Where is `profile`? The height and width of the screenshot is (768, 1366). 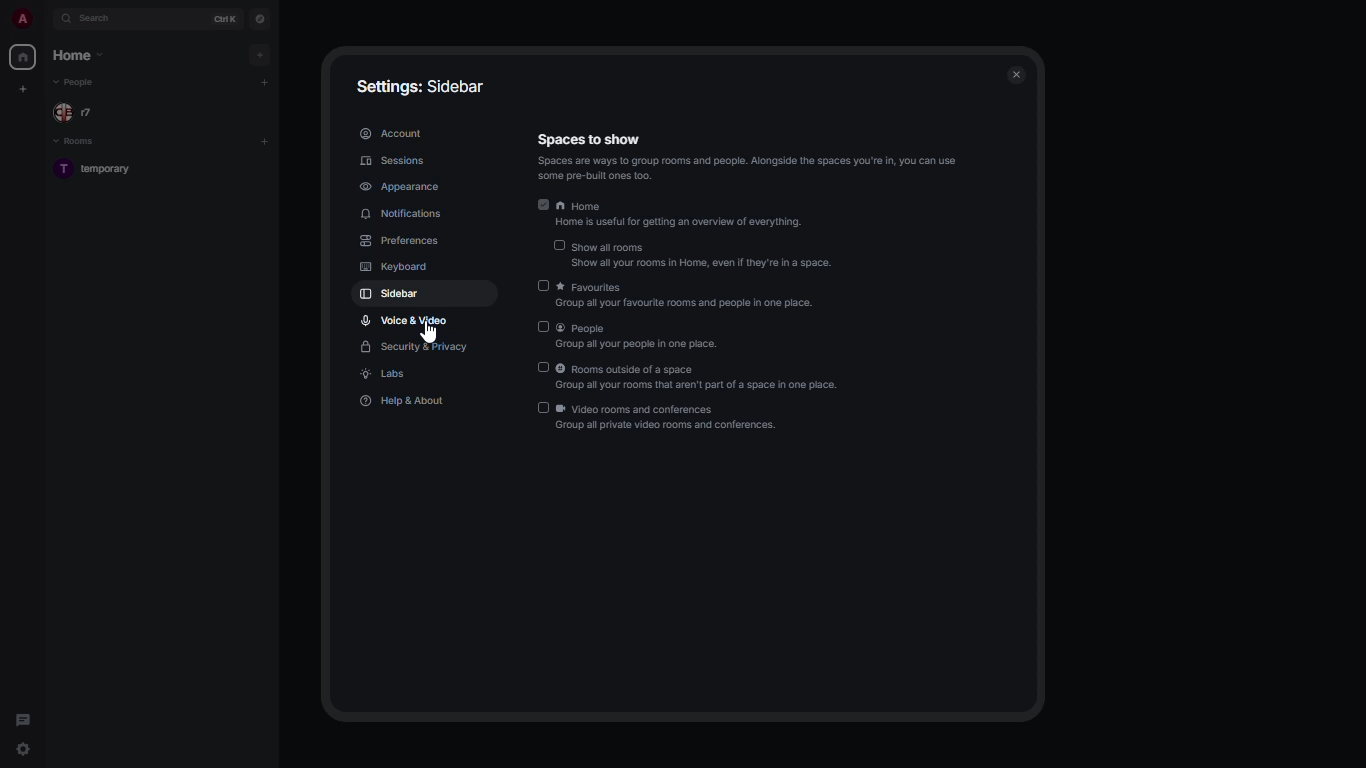
profile is located at coordinates (24, 18).